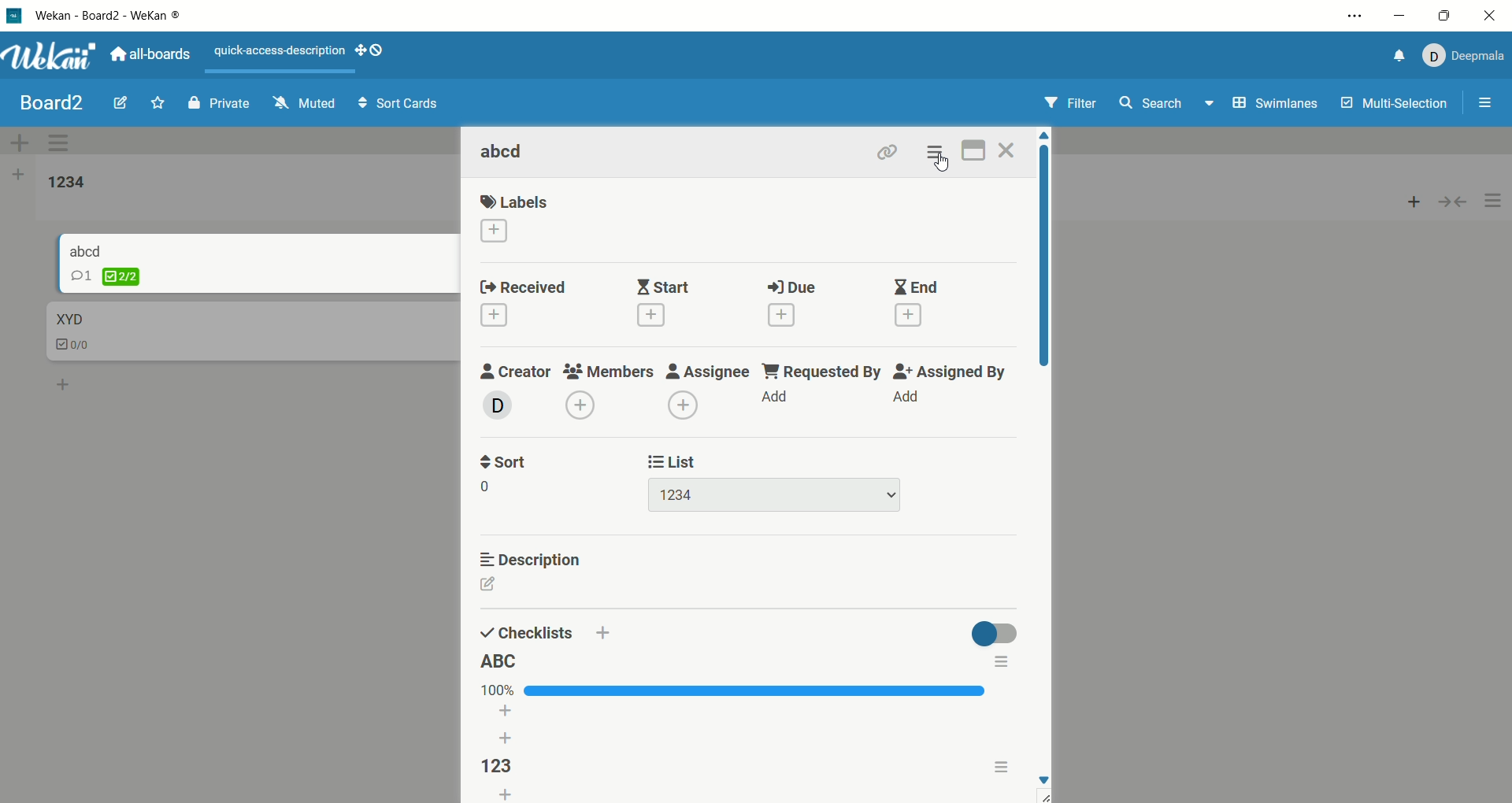  Describe the element at coordinates (508, 727) in the screenshot. I see `add list` at that location.